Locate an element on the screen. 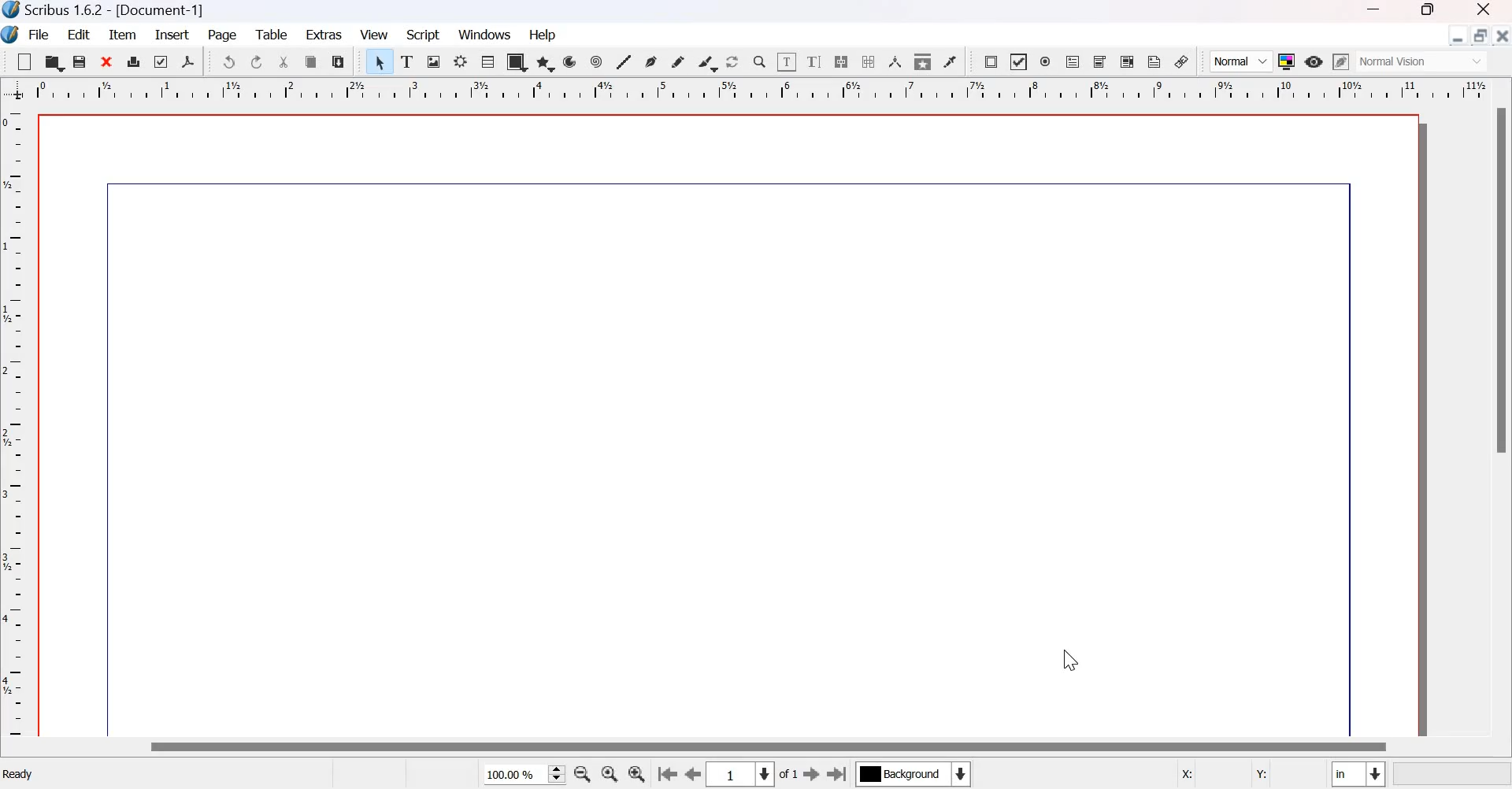  Zoom in or zoom out is located at coordinates (761, 62).